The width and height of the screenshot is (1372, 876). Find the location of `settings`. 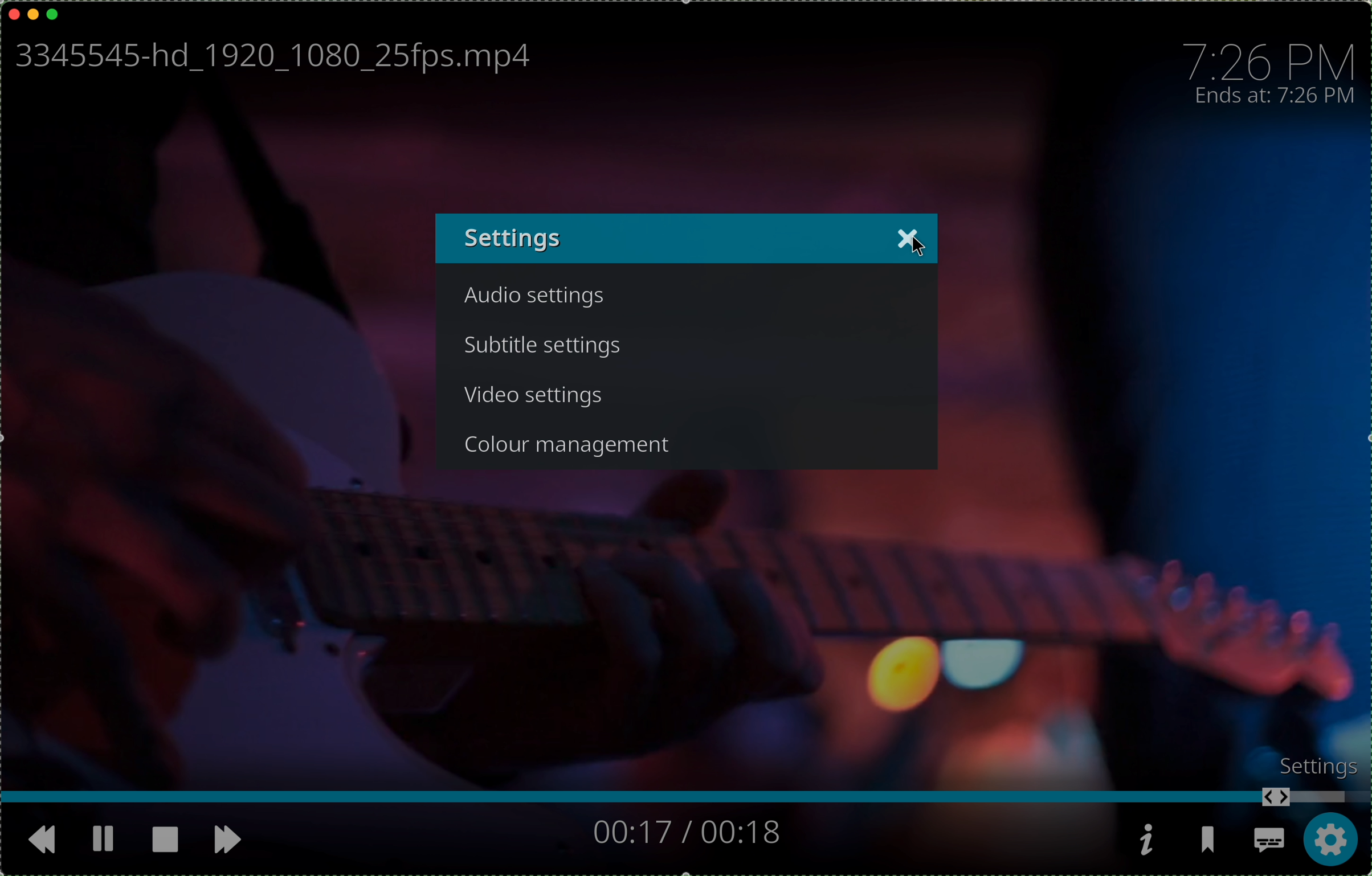

settings is located at coordinates (1309, 764).